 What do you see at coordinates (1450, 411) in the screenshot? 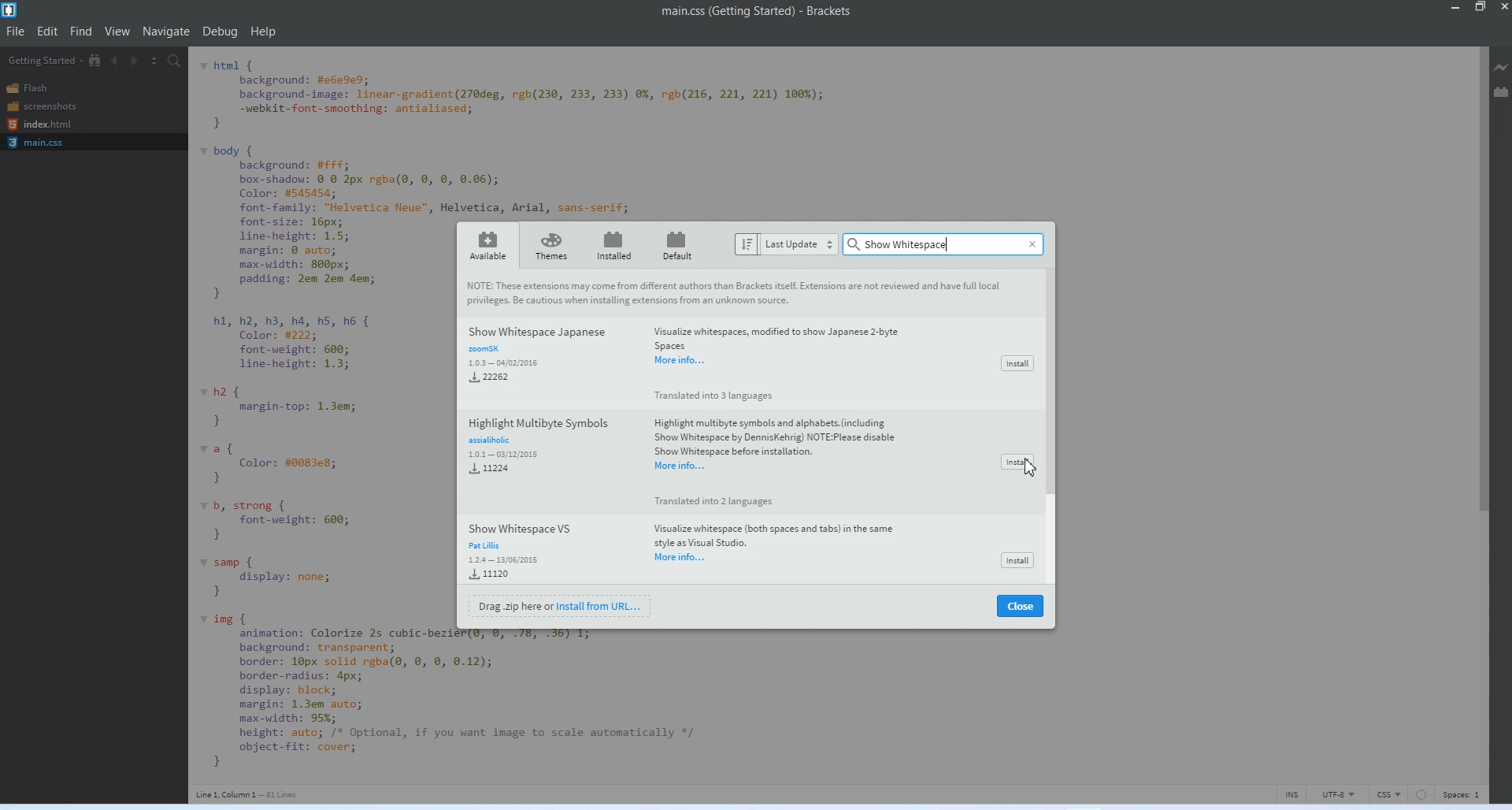
I see `Vertical Scroll bar` at bounding box center [1450, 411].